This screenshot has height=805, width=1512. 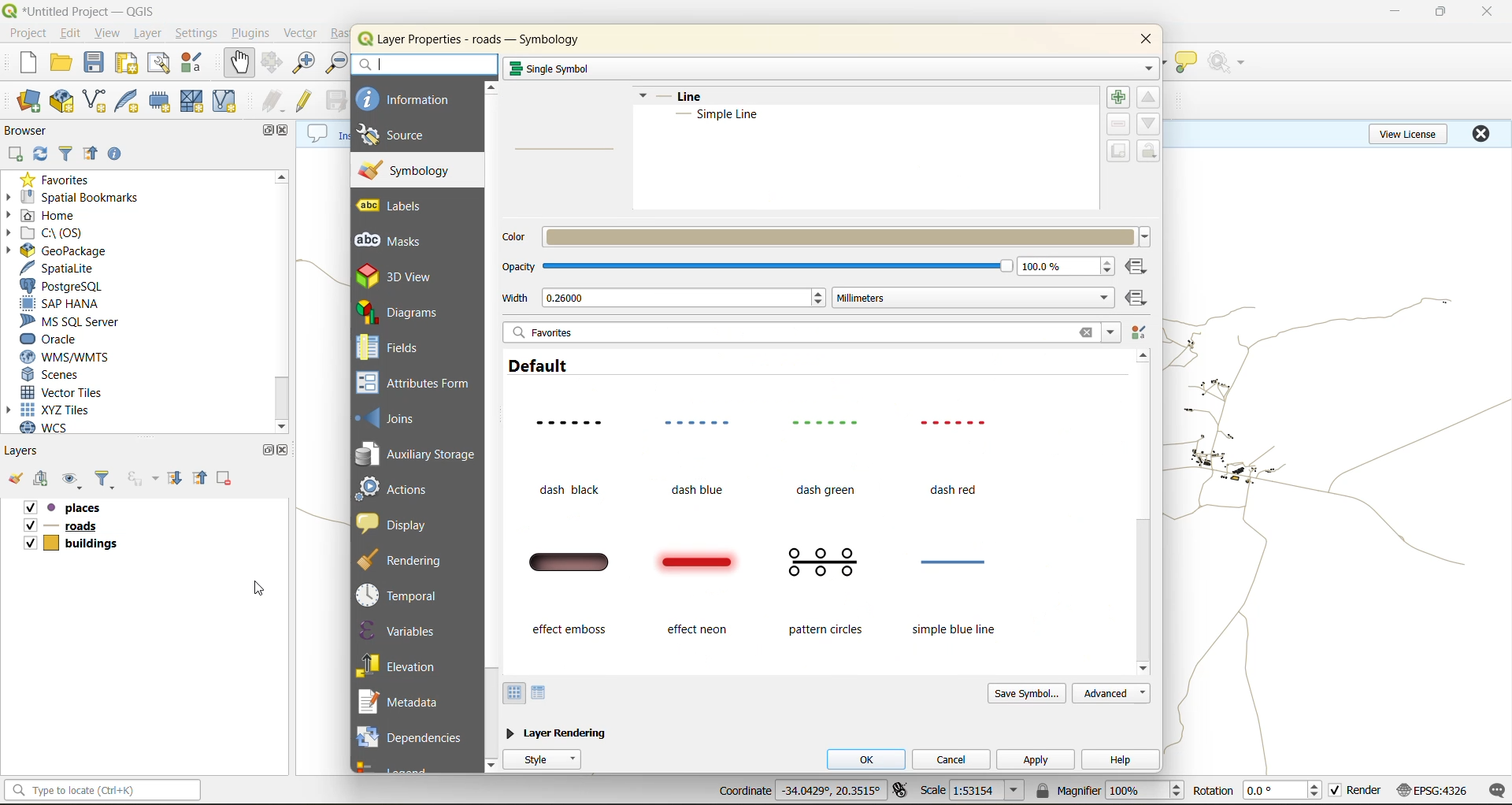 What do you see at coordinates (541, 695) in the screenshot?
I see `list view` at bounding box center [541, 695].